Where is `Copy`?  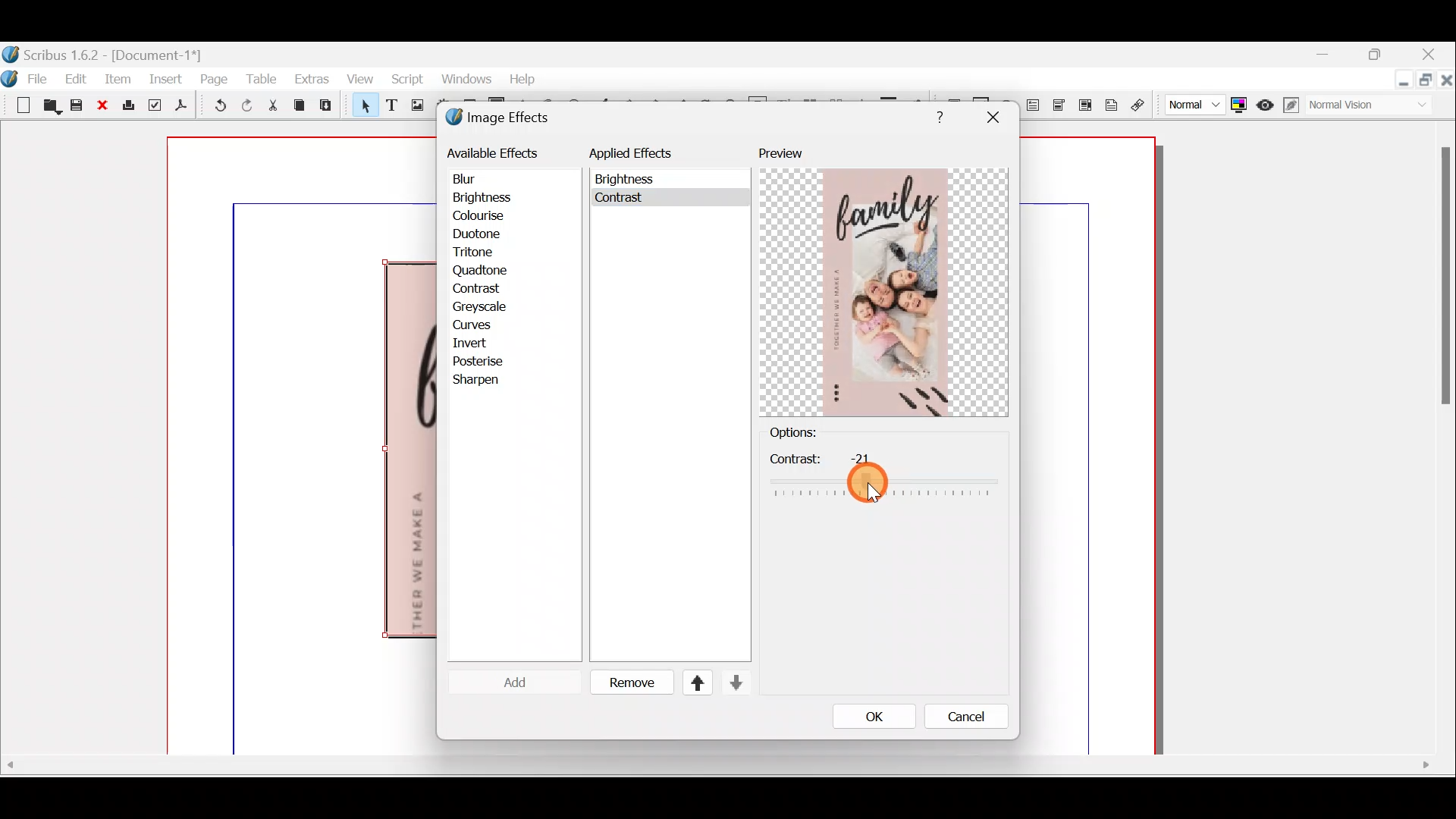
Copy is located at coordinates (300, 105).